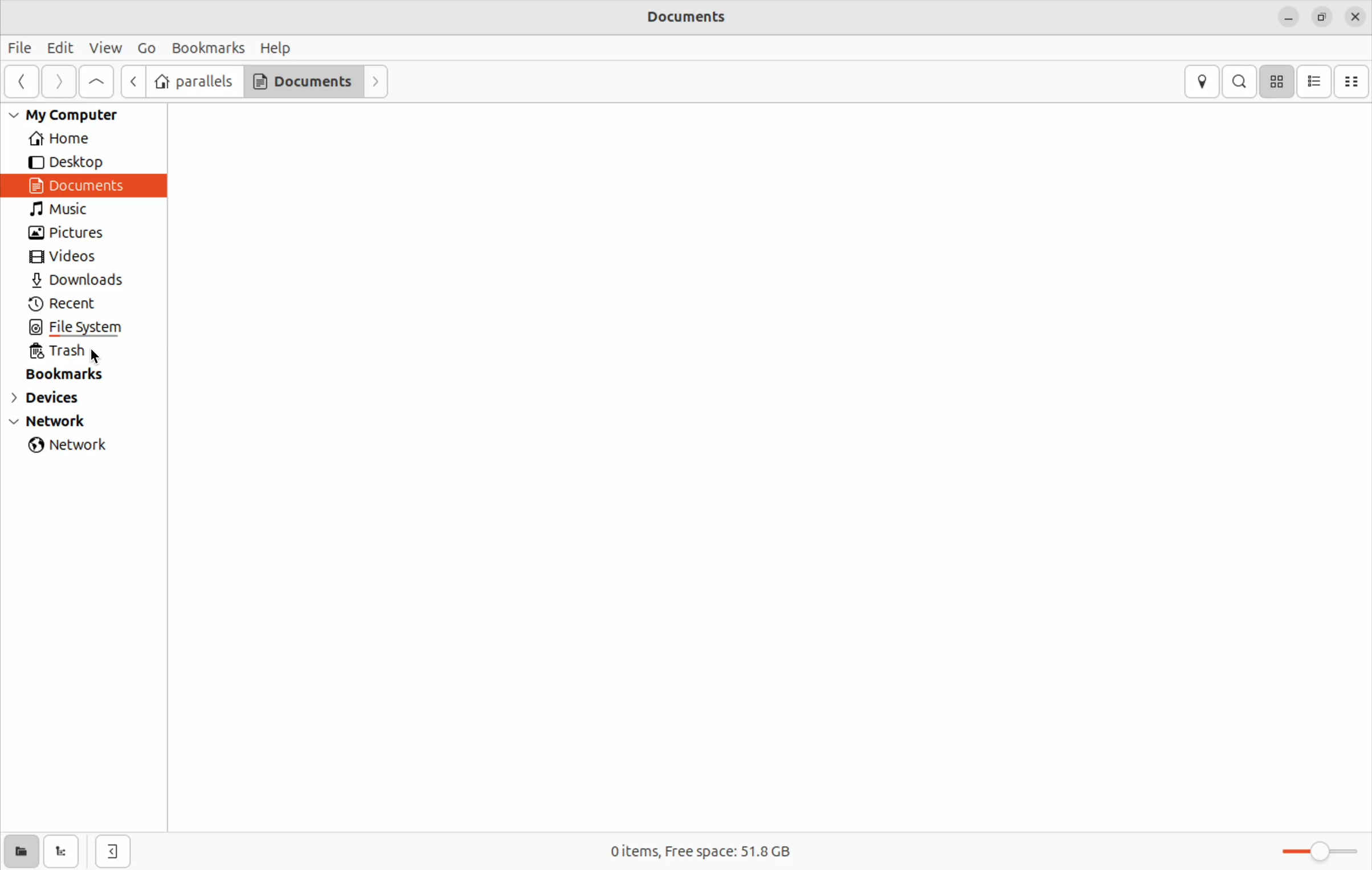 The height and width of the screenshot is (870, 1372). What do you see at coordinates (72, 210) in the screenshot?
I see `music` at bounding box center [72, 210].